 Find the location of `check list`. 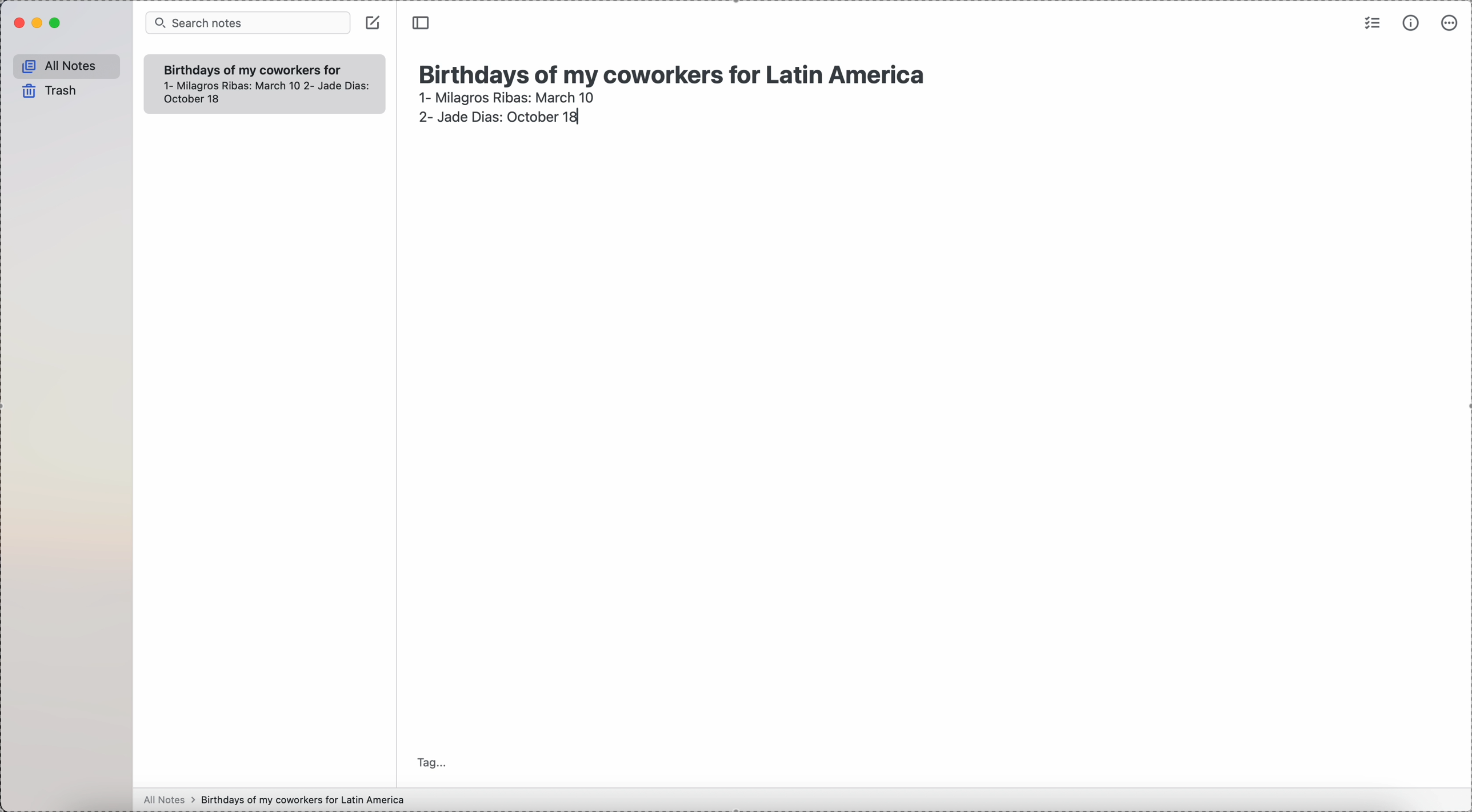

check list is located at coordinates (1371, 22).